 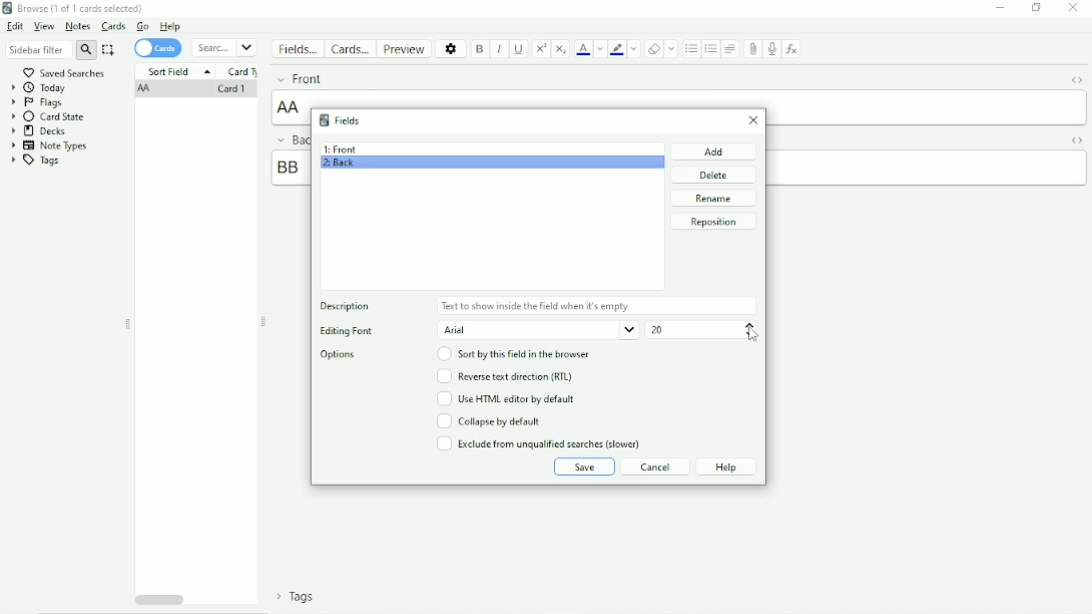 What do you see at coordinates (109, 50) in the screenshot?
I see `Select` at bounding box center [109, 50].